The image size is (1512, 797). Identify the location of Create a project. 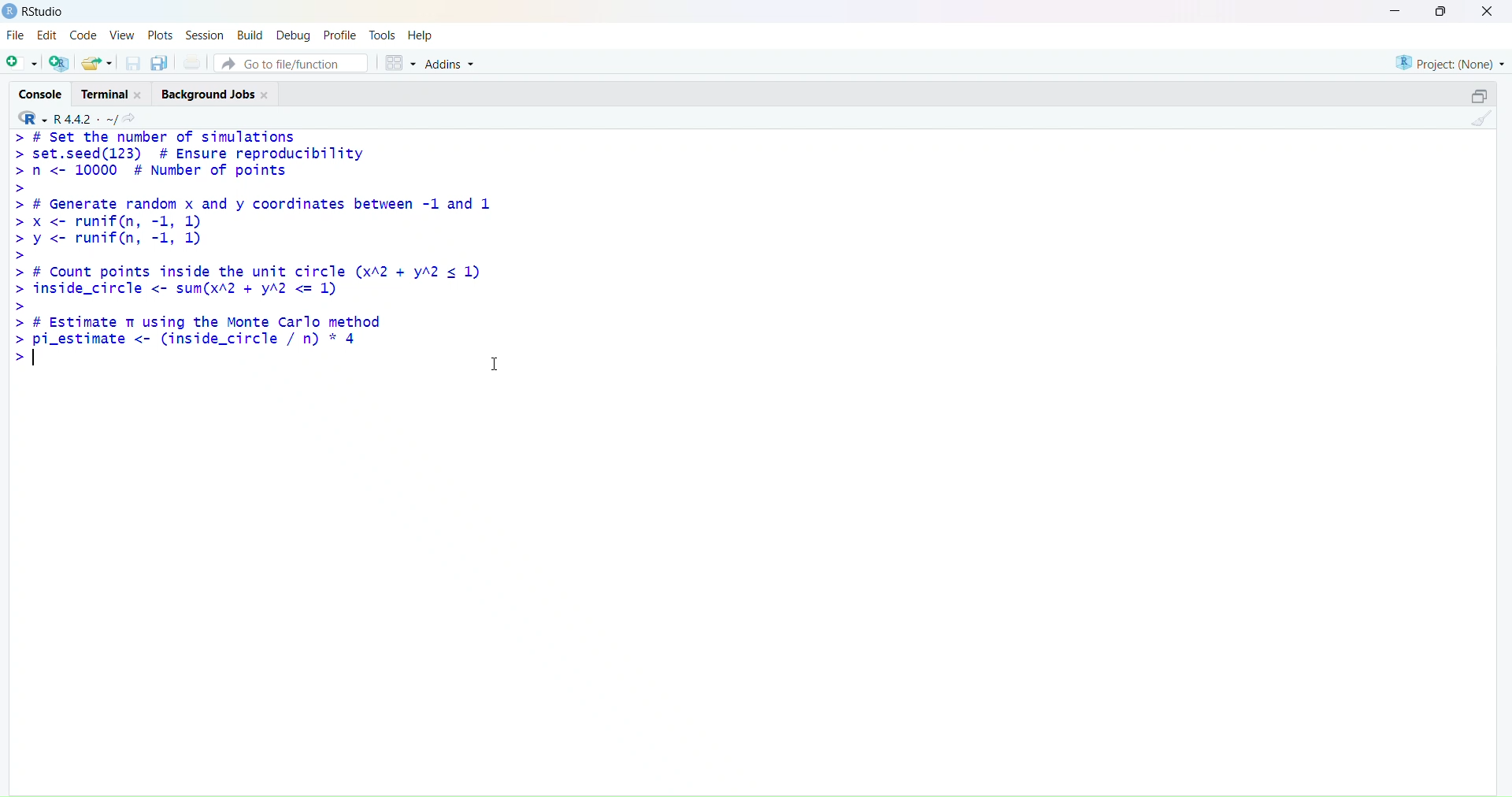
(62, 61).